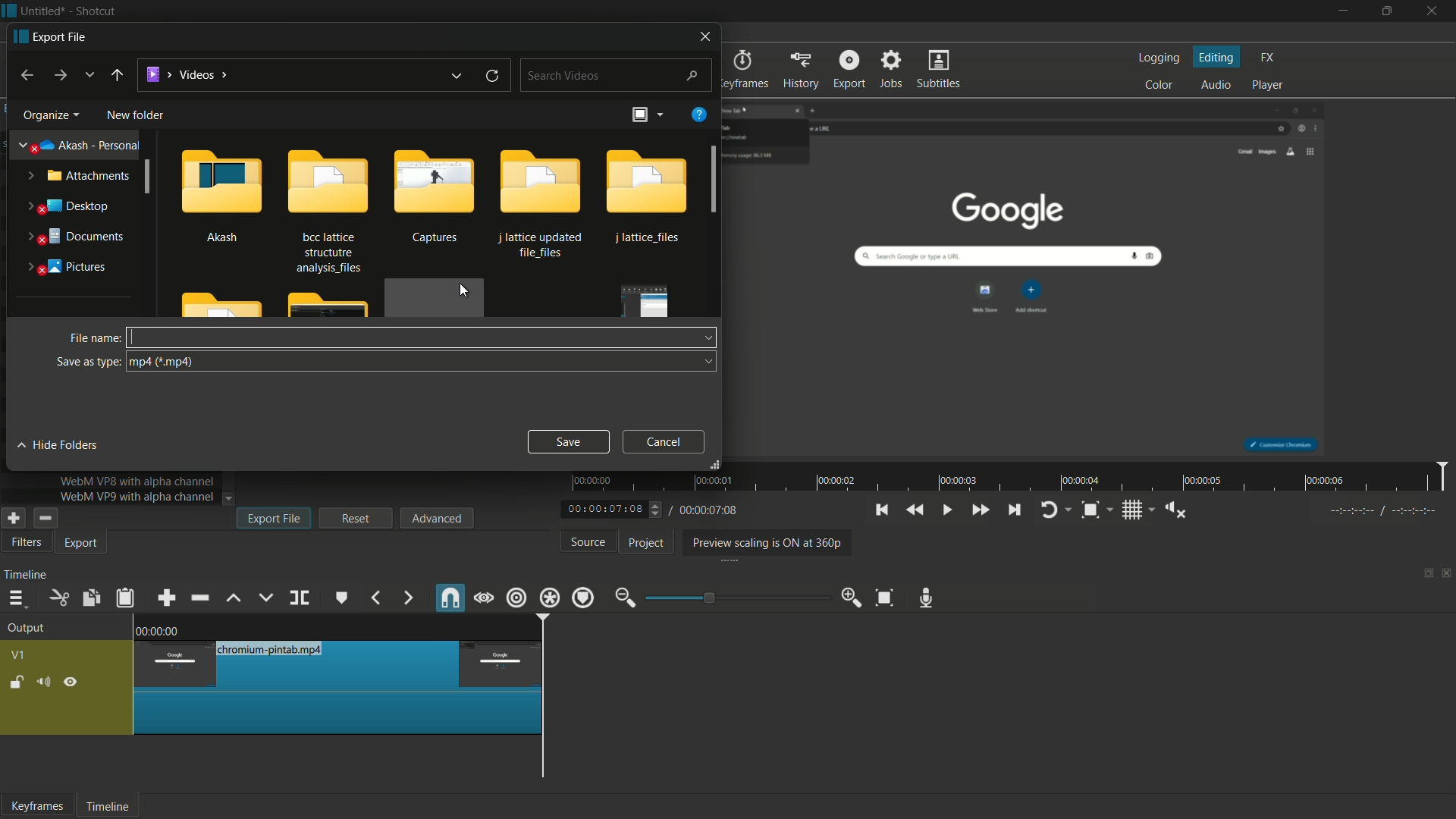 The image size is (1456, 819). What do you see at coordinates (95, 11) in the screenshot?
I see `app name` at bounding box center [95, 11].